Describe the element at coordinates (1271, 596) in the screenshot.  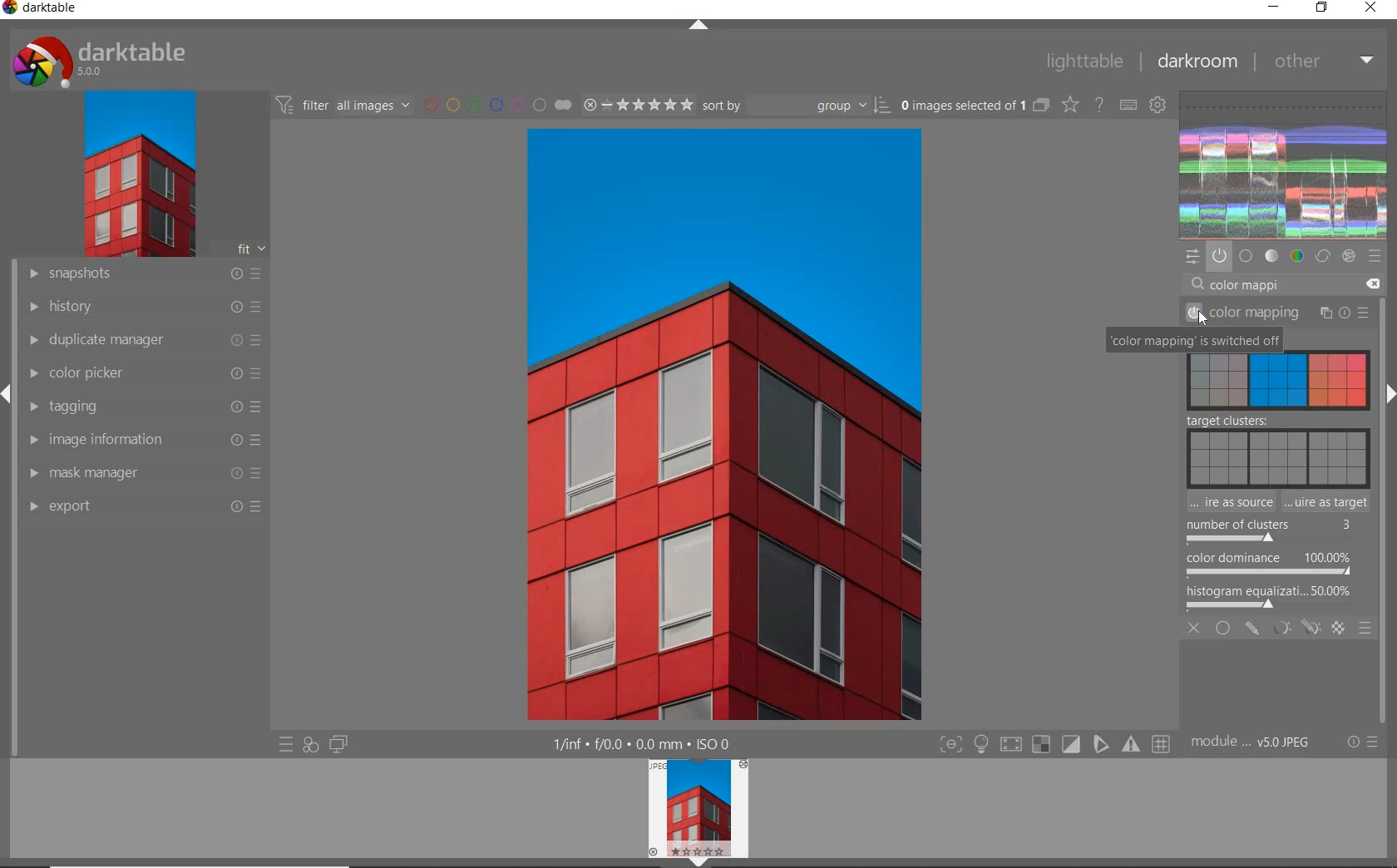
I see `HISTOGRAM EQUALIZER` at that location.